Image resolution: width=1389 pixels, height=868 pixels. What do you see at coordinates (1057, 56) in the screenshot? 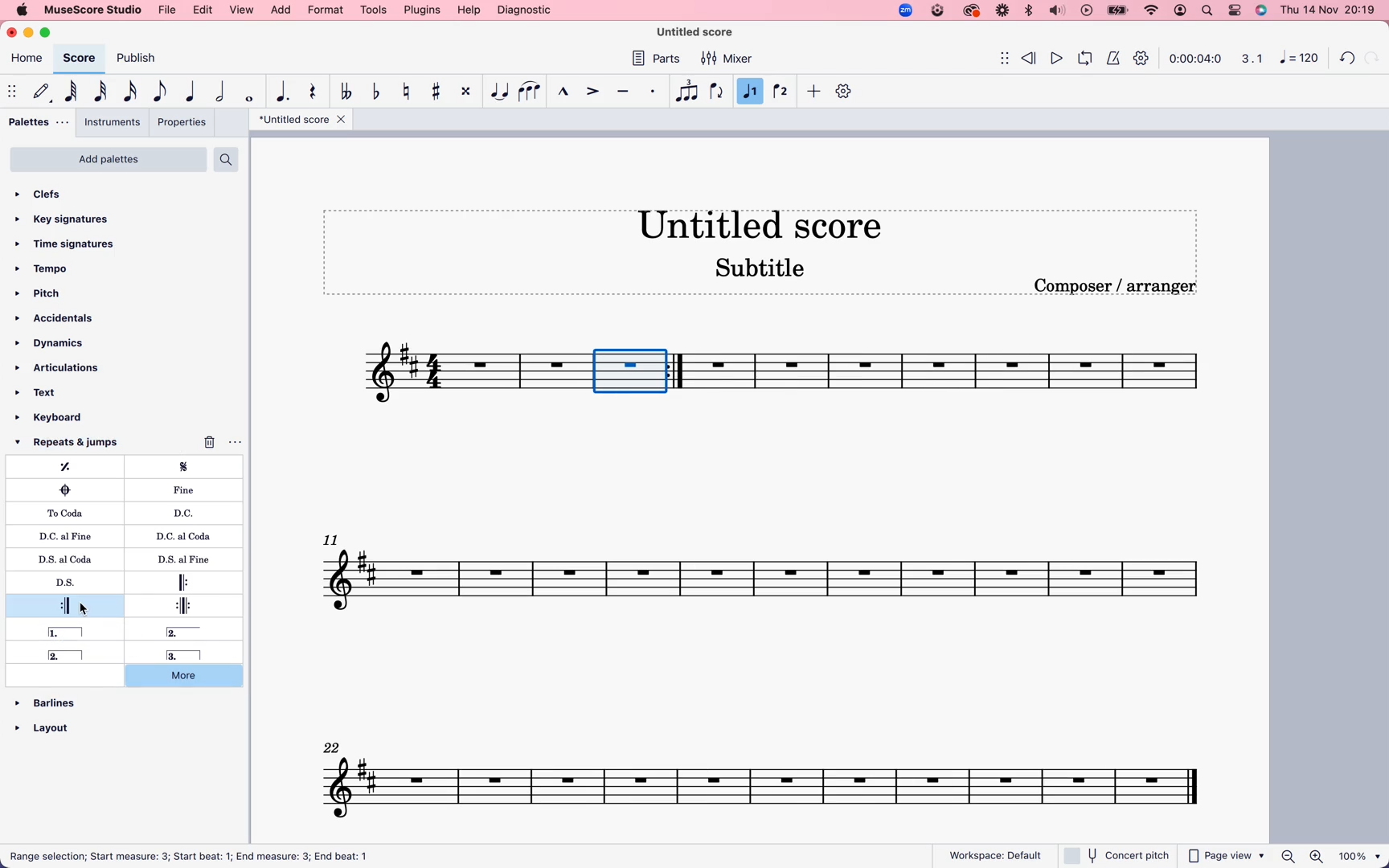
I see `play` at bounding box center [1057, 56].